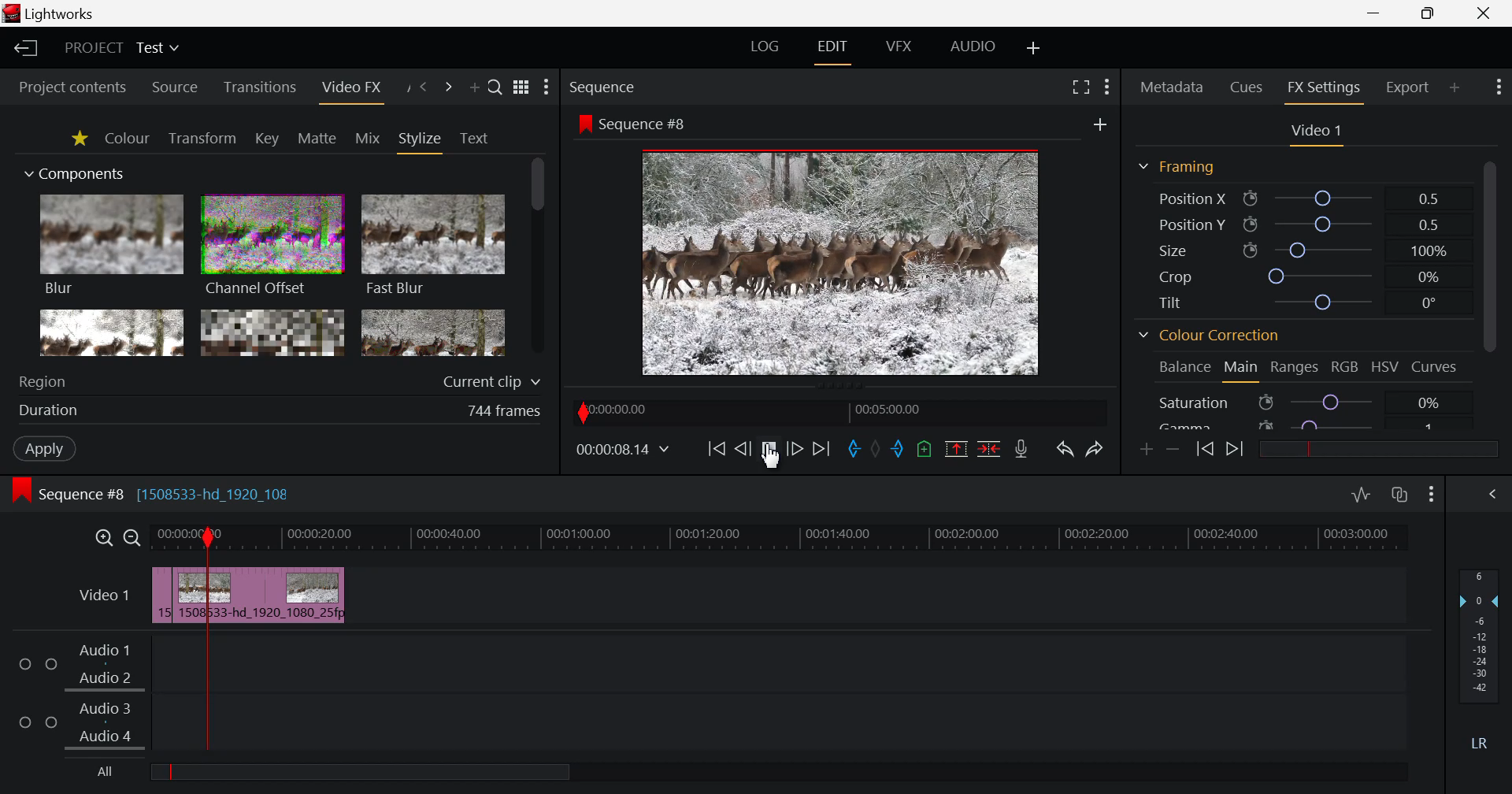 This screenshot has width=1512, height=794. What do you see at coordinates (795, 449) in the screenshot?
I see `Go Forward` at bounding box center [795, 449].